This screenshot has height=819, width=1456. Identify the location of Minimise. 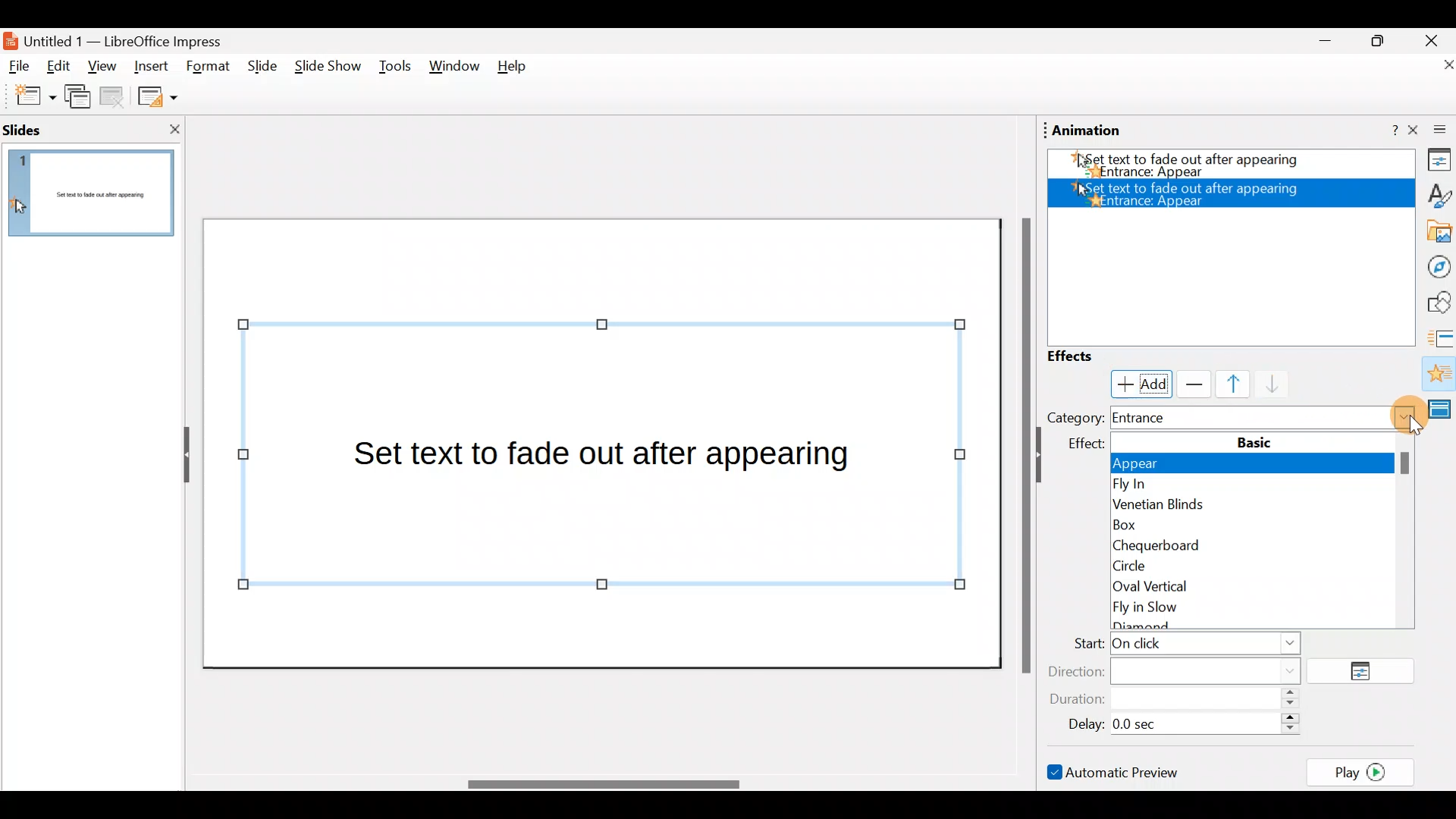
(1323, 45).